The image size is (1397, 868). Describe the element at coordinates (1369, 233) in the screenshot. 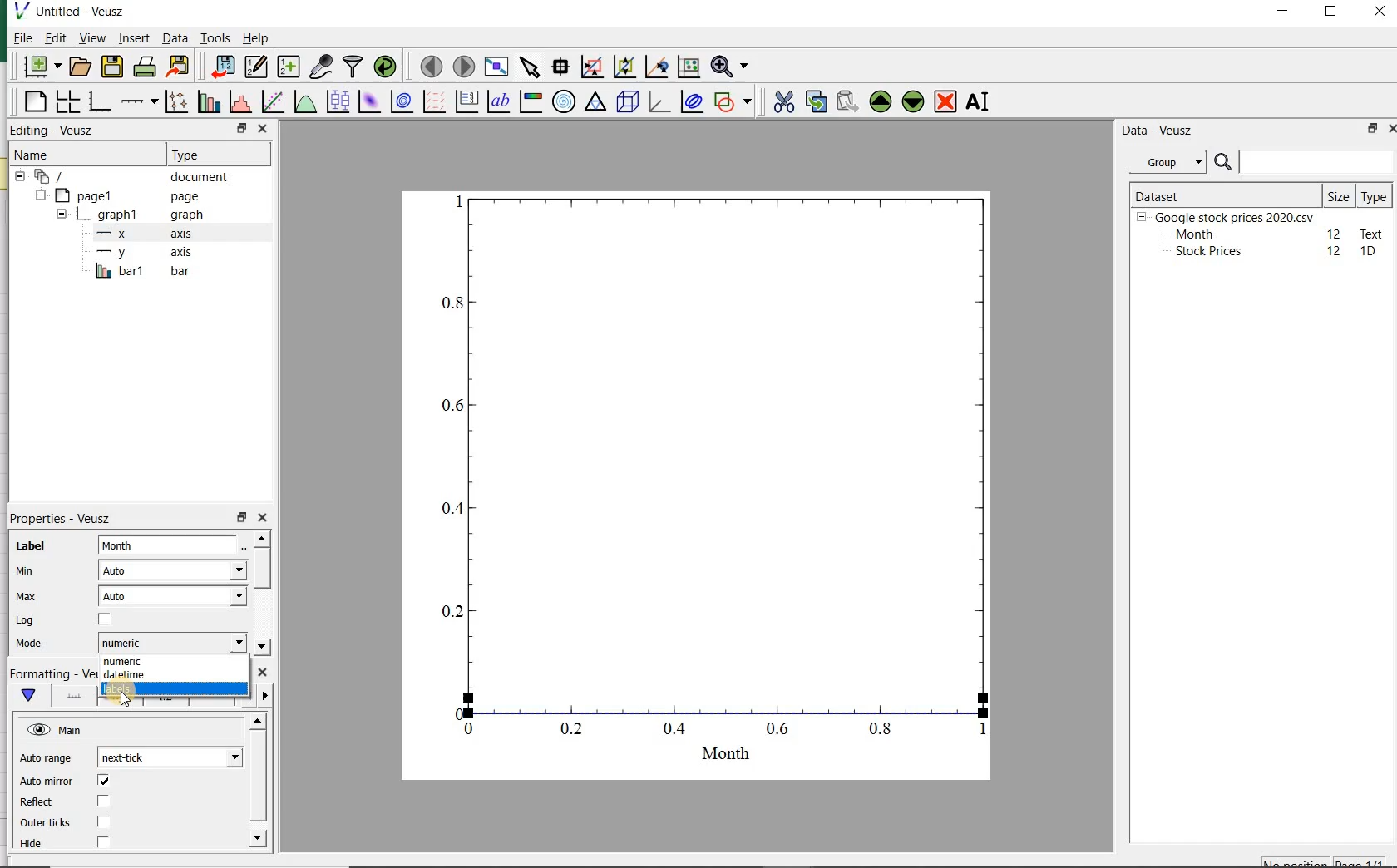

I see `text` at that location.